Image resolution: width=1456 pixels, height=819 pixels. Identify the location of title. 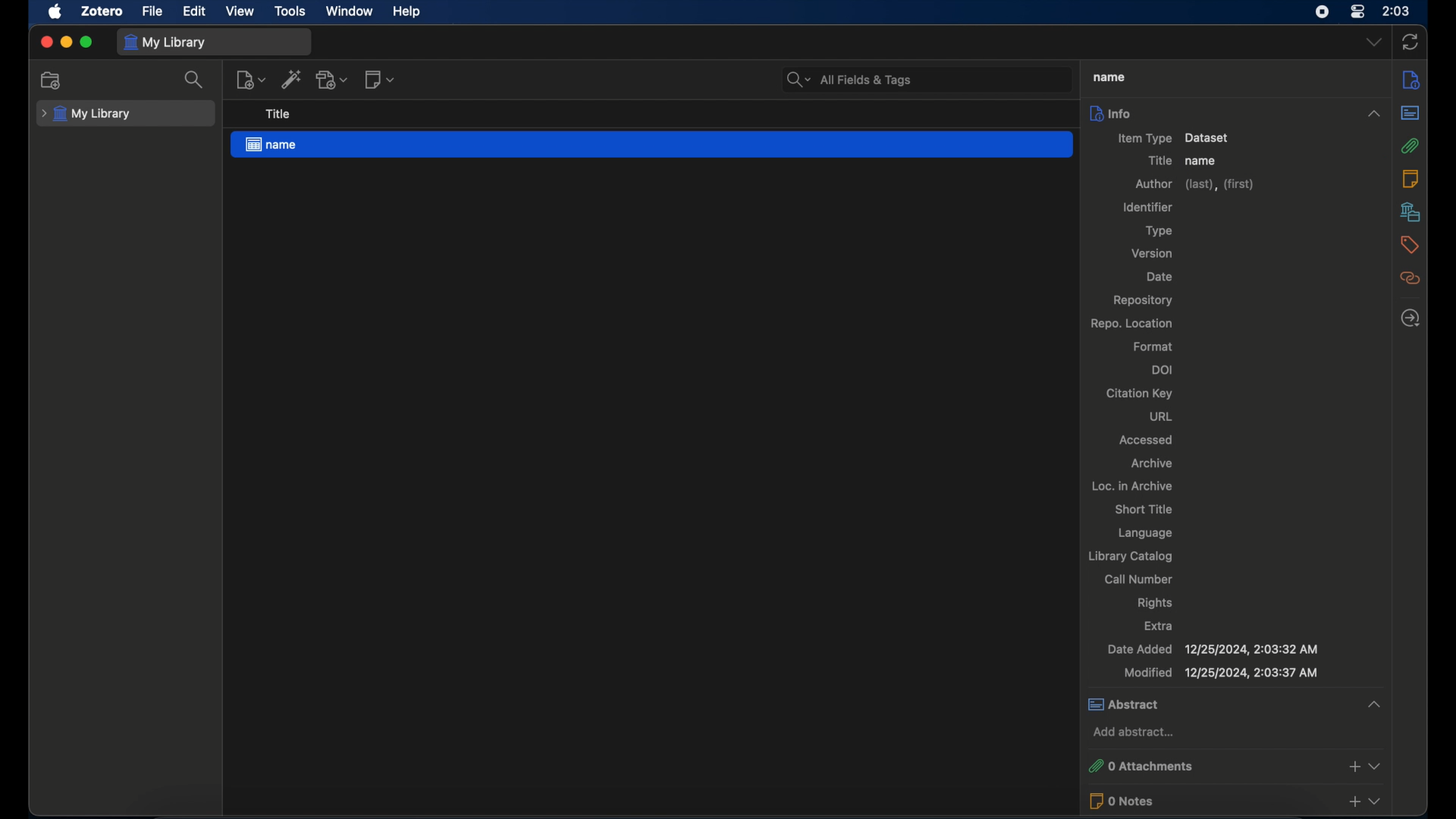
(1107, 77).